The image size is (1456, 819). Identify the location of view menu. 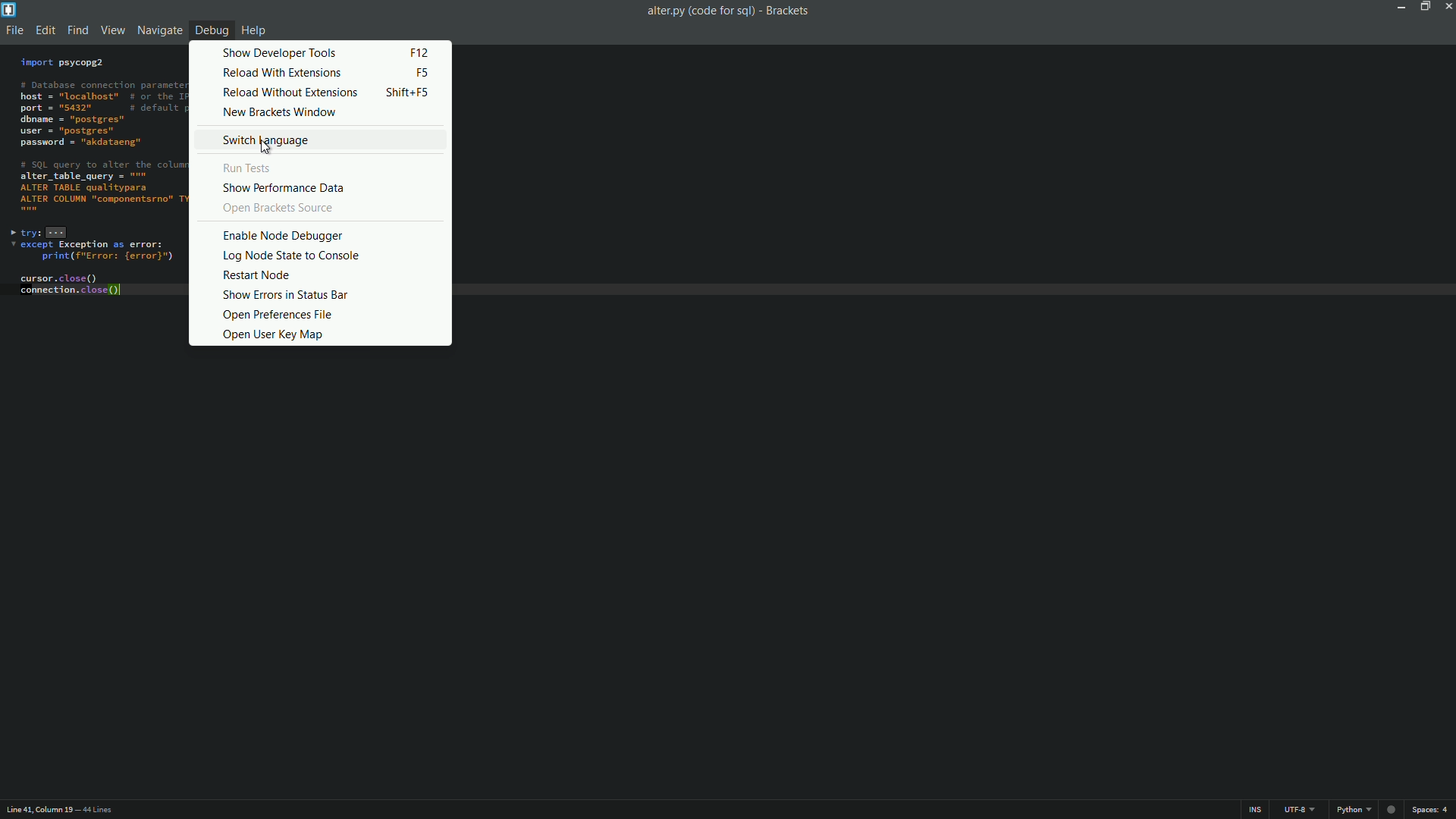
(111, 30).